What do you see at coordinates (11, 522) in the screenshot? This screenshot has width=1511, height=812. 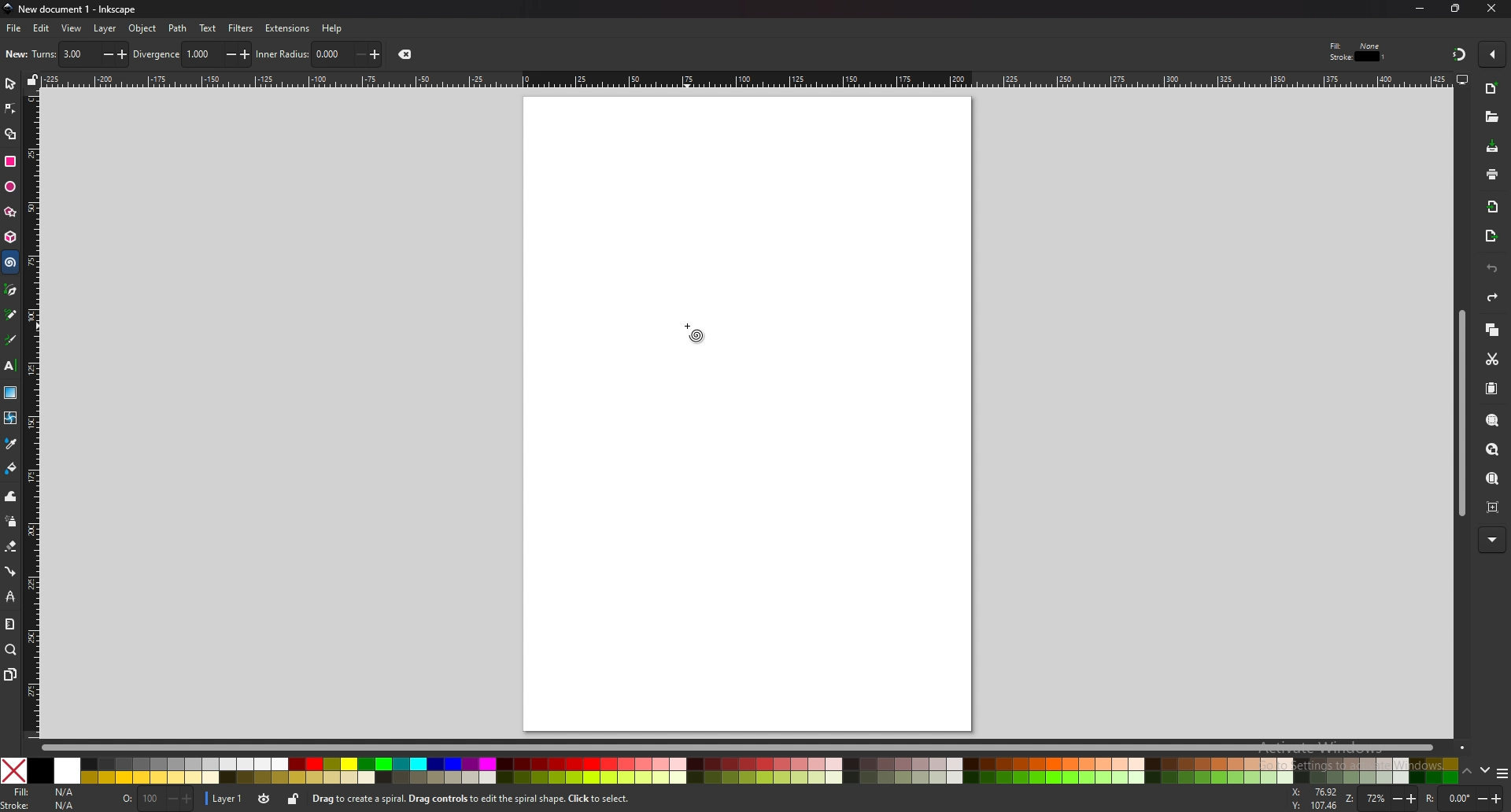 I see `spray` at bounding box center [11, 522].